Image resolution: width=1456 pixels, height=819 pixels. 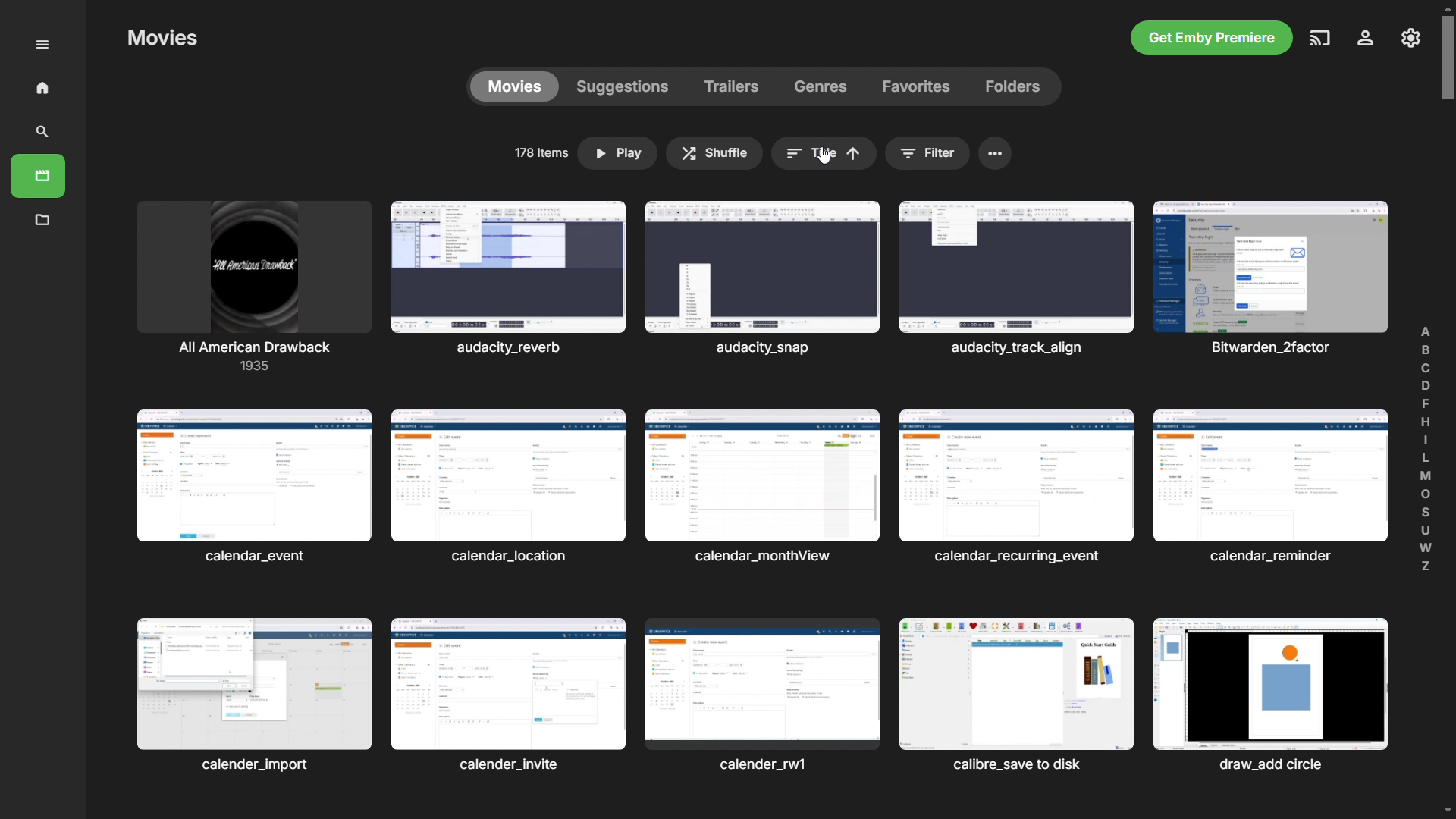 What do you see at coordinates (927, 154) in the screenshot?
I see `filter` at bounding box center [927, 154].